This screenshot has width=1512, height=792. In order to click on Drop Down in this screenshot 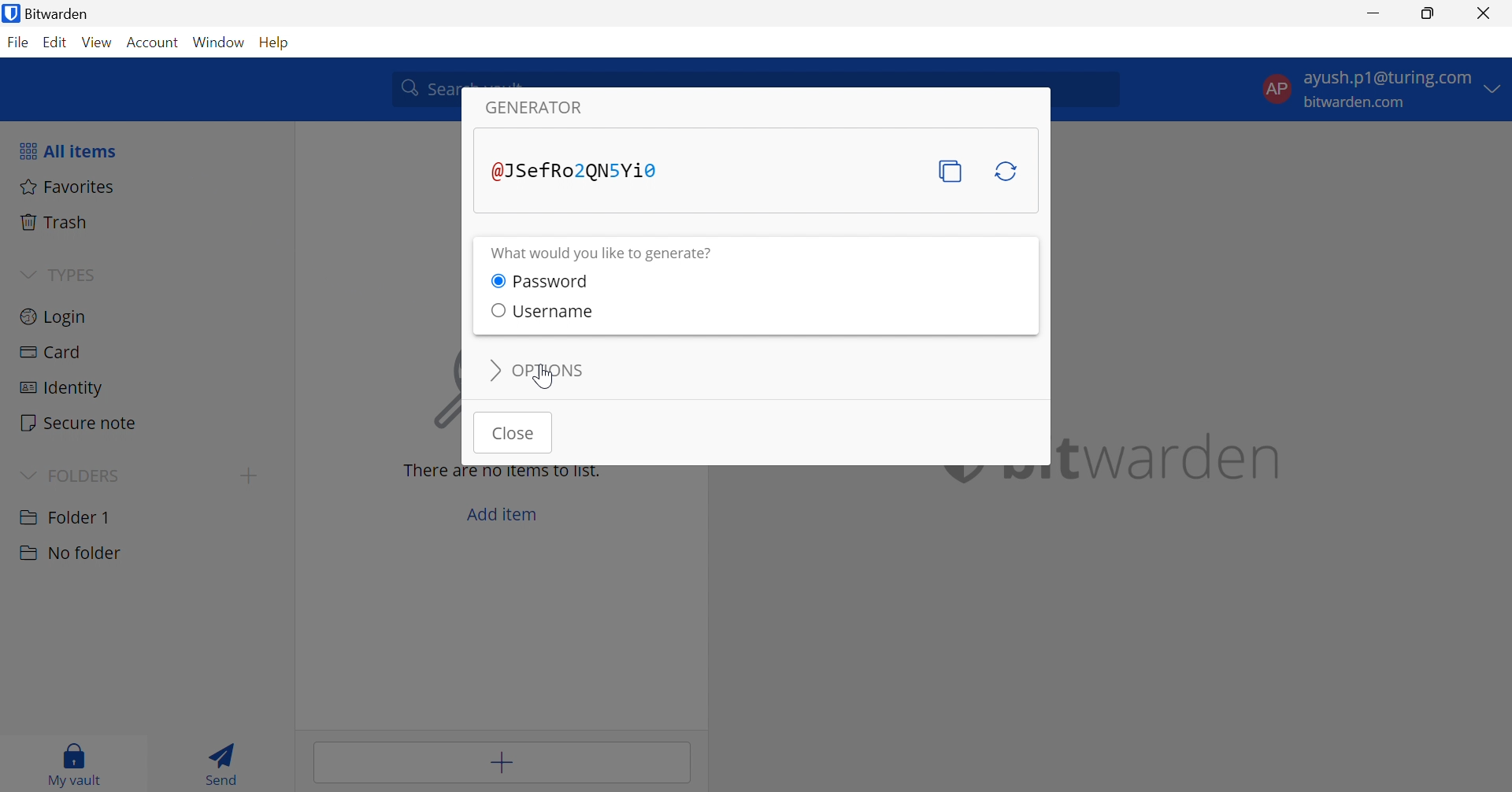, I will do `click(27, 475)`.